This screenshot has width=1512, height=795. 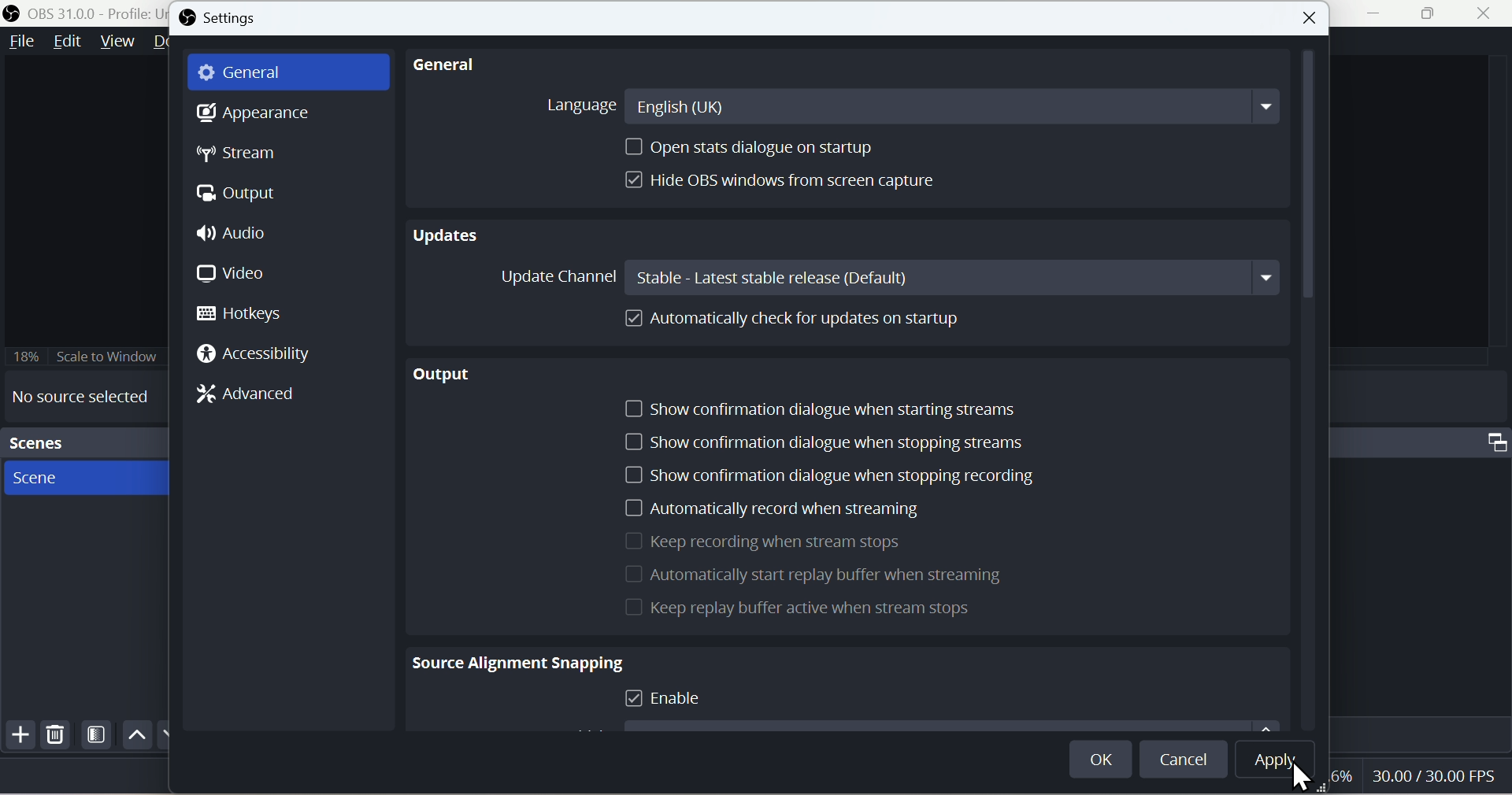 I want to click on General, so click(x=254, y=73).